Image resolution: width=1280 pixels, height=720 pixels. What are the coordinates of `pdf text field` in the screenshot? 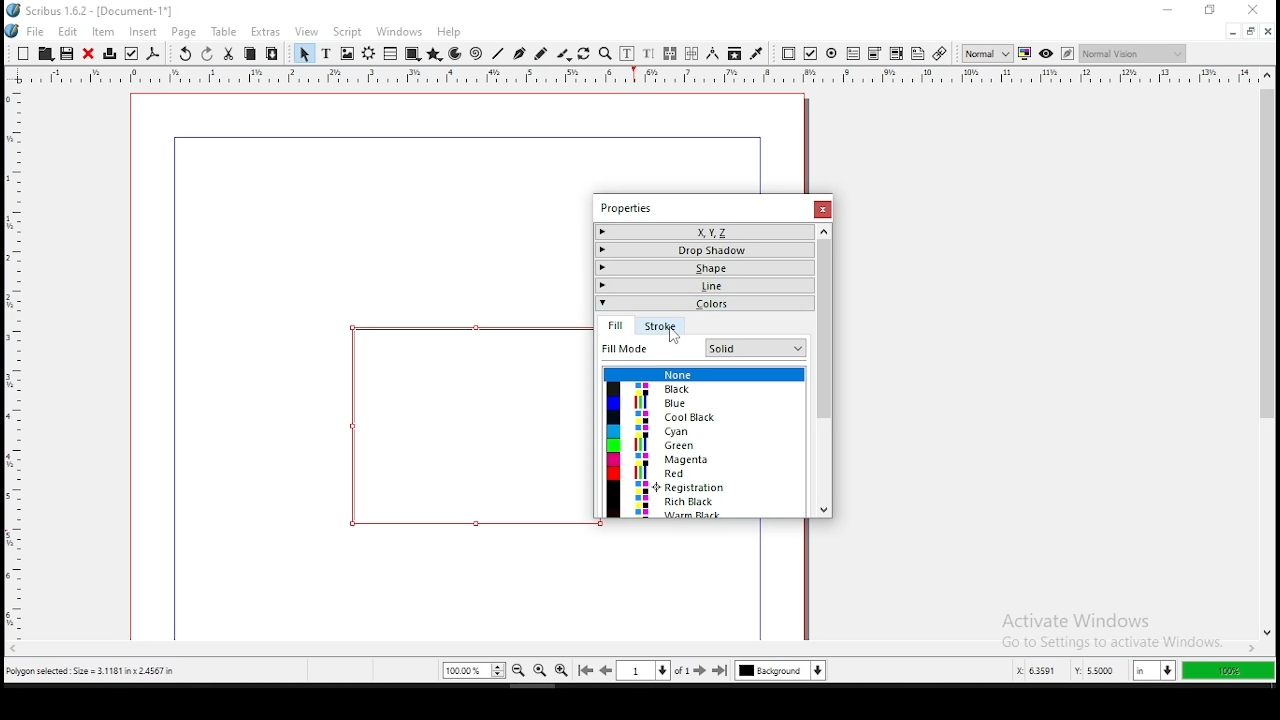 It's located at (854, 54).